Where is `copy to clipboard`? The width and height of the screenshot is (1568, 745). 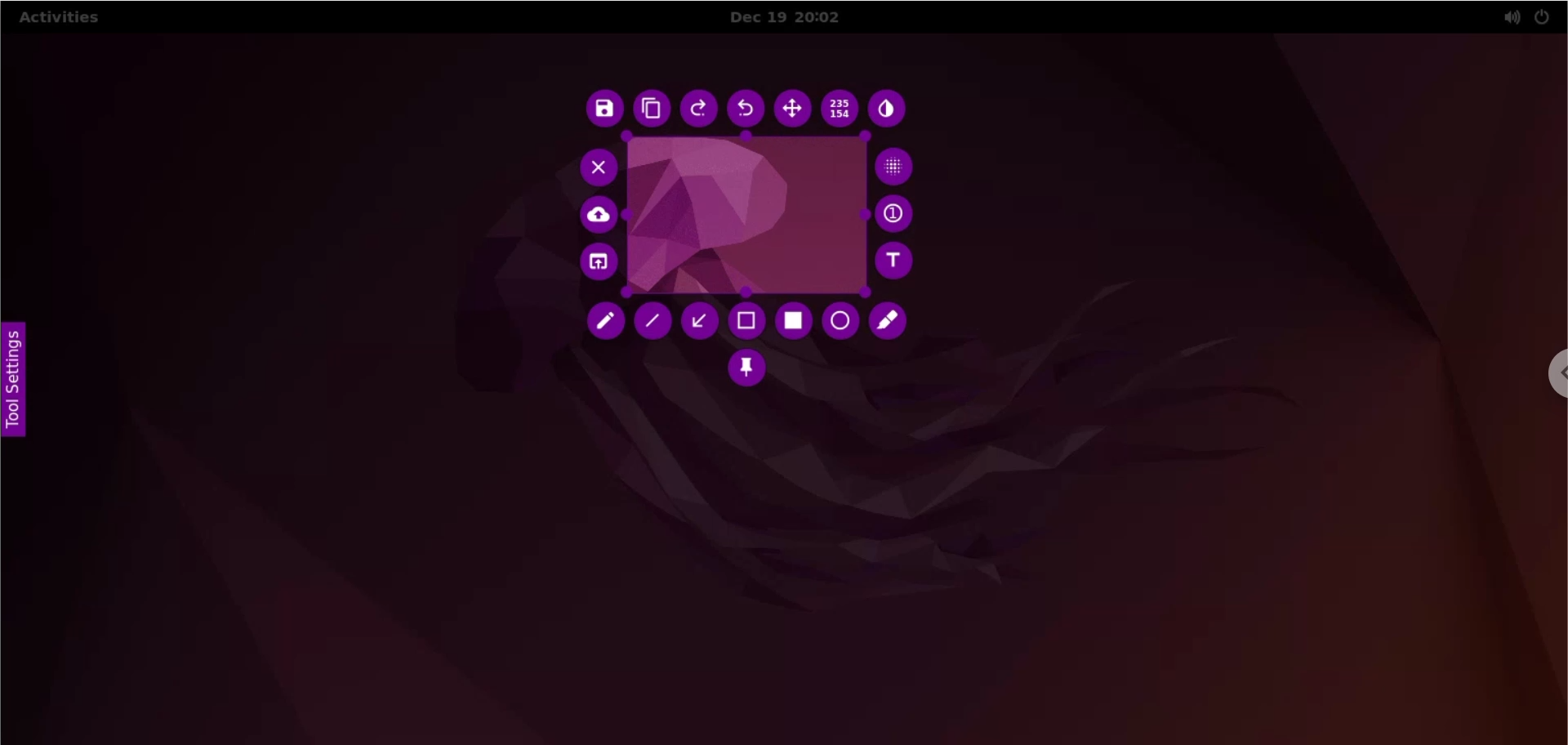 copy to clipboard is located at coordinates (656, 109).